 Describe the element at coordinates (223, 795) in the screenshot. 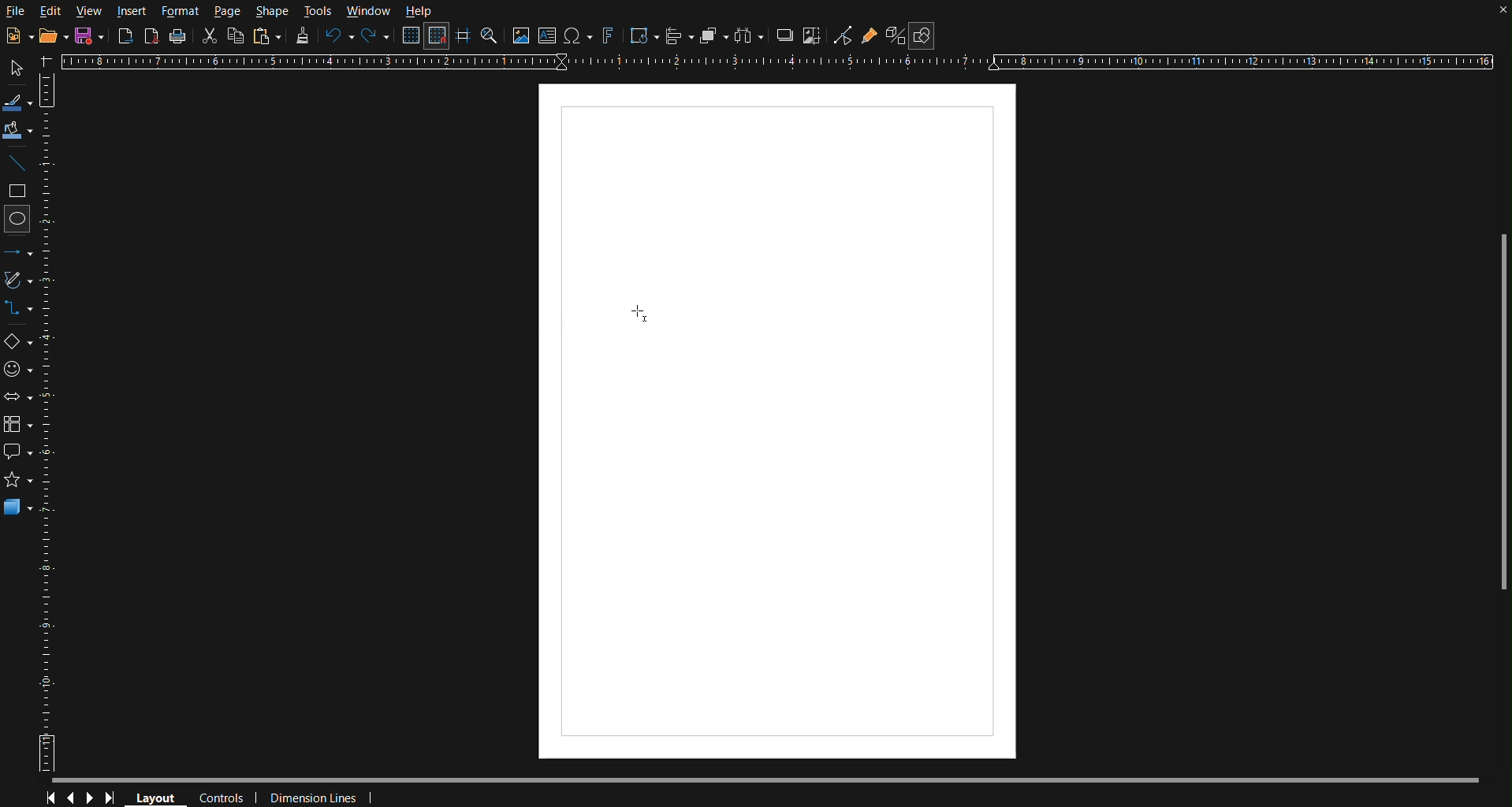

I see `Controls` at that location.